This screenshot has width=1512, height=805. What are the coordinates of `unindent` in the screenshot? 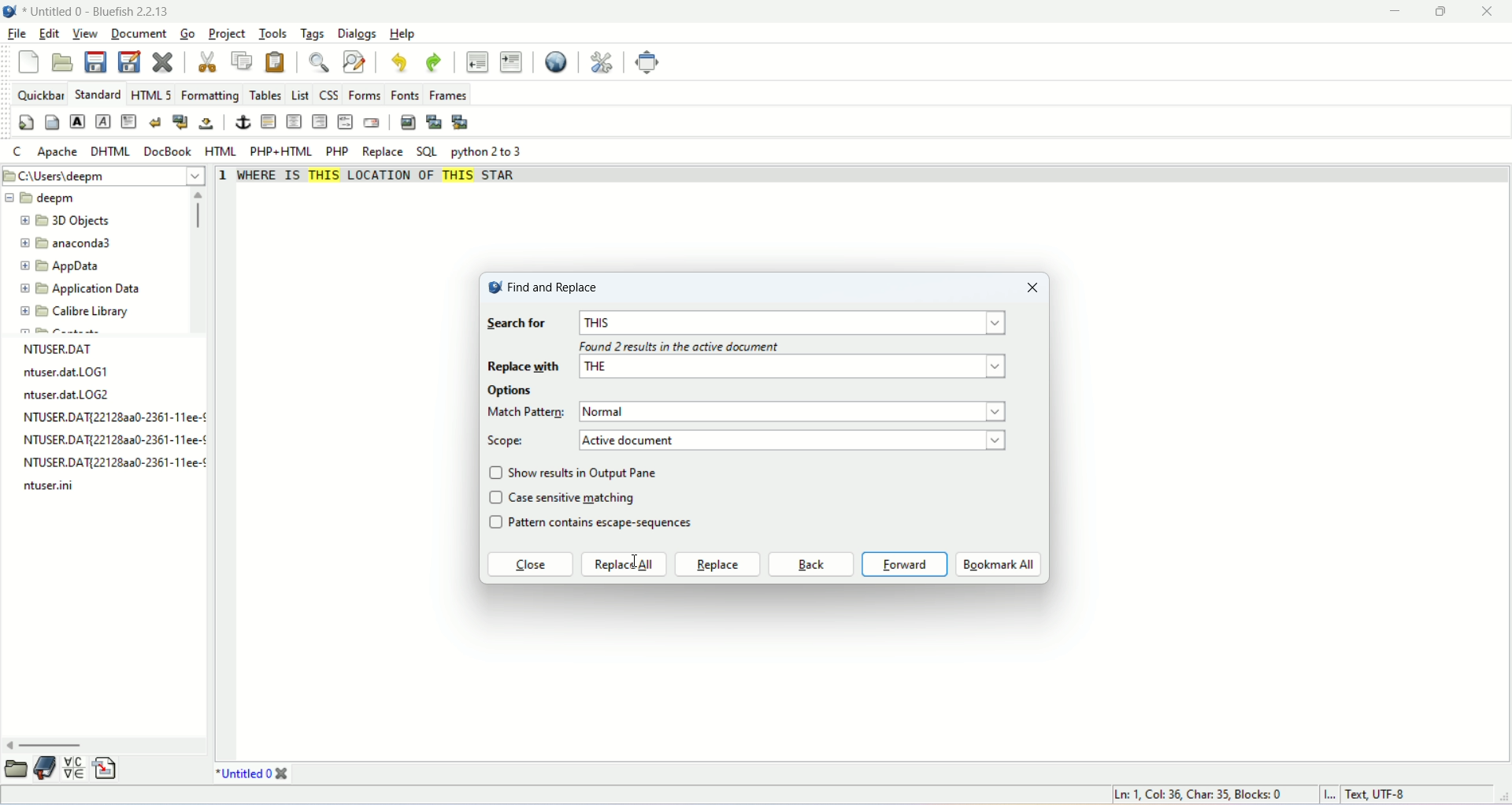 It's located at (476, 61).